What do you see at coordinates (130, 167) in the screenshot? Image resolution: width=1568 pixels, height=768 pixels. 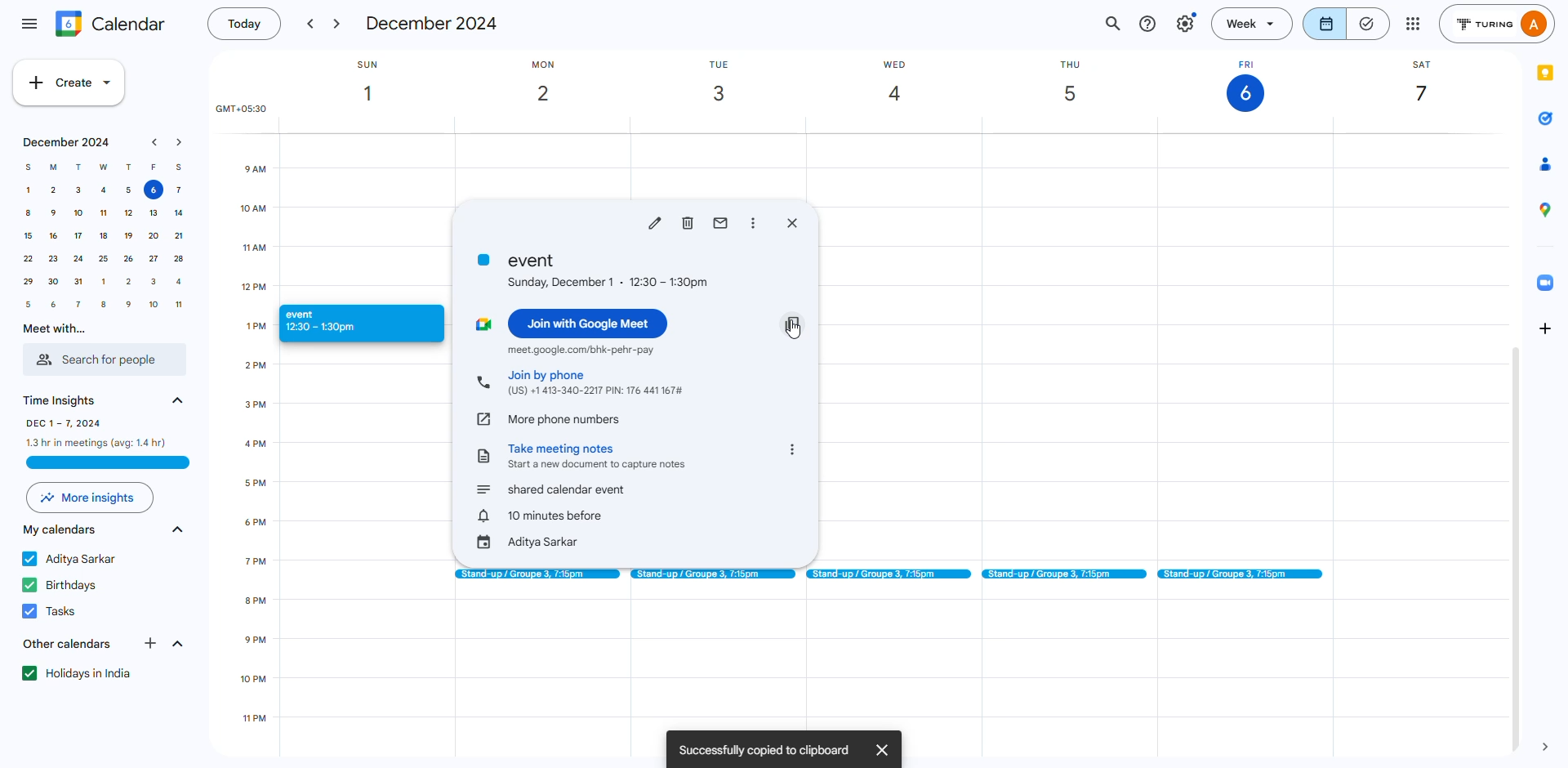 I see `T` at bounding box center [130, 167].